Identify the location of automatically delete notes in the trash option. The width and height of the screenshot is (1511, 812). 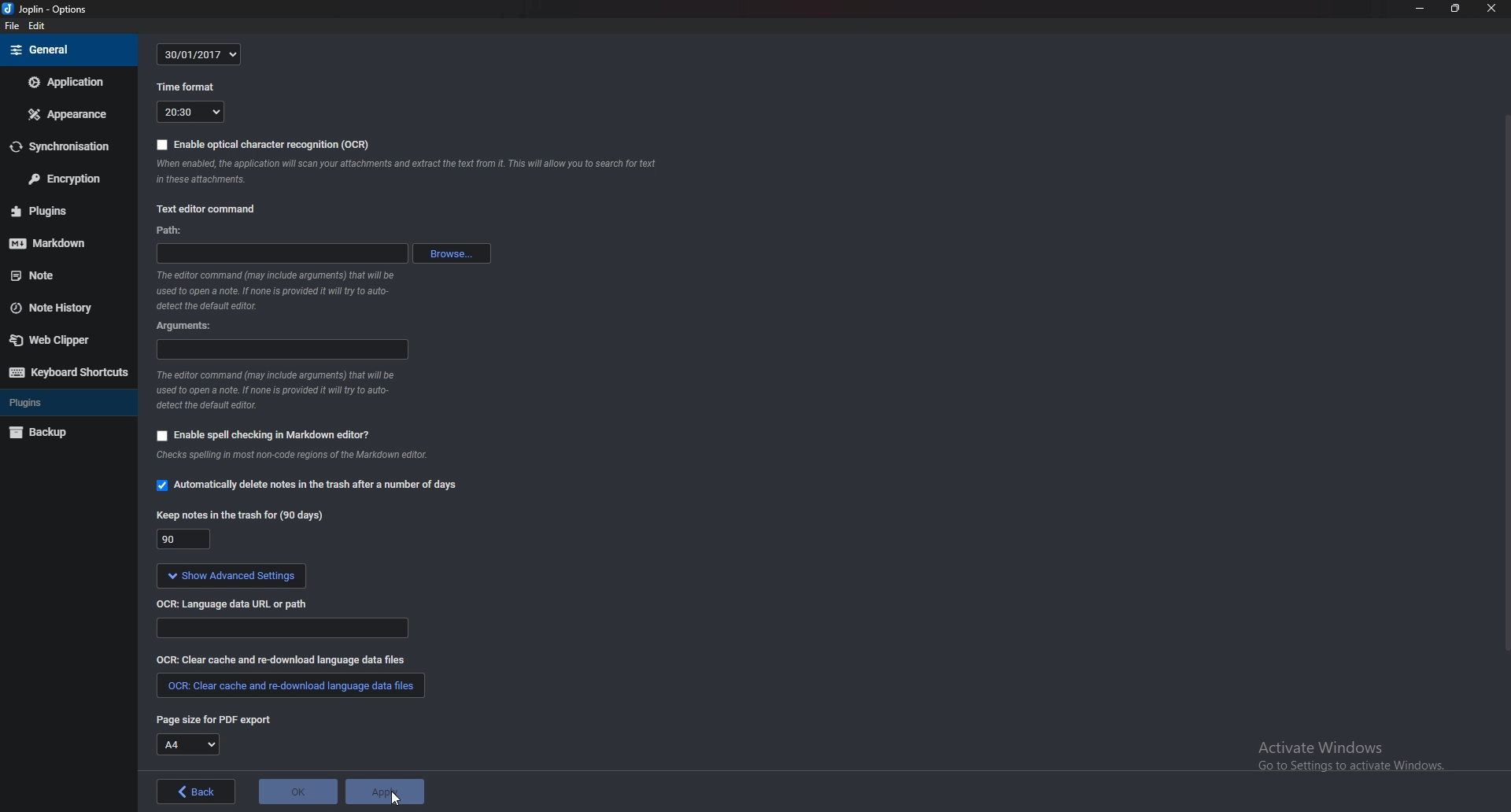
(308, 484).